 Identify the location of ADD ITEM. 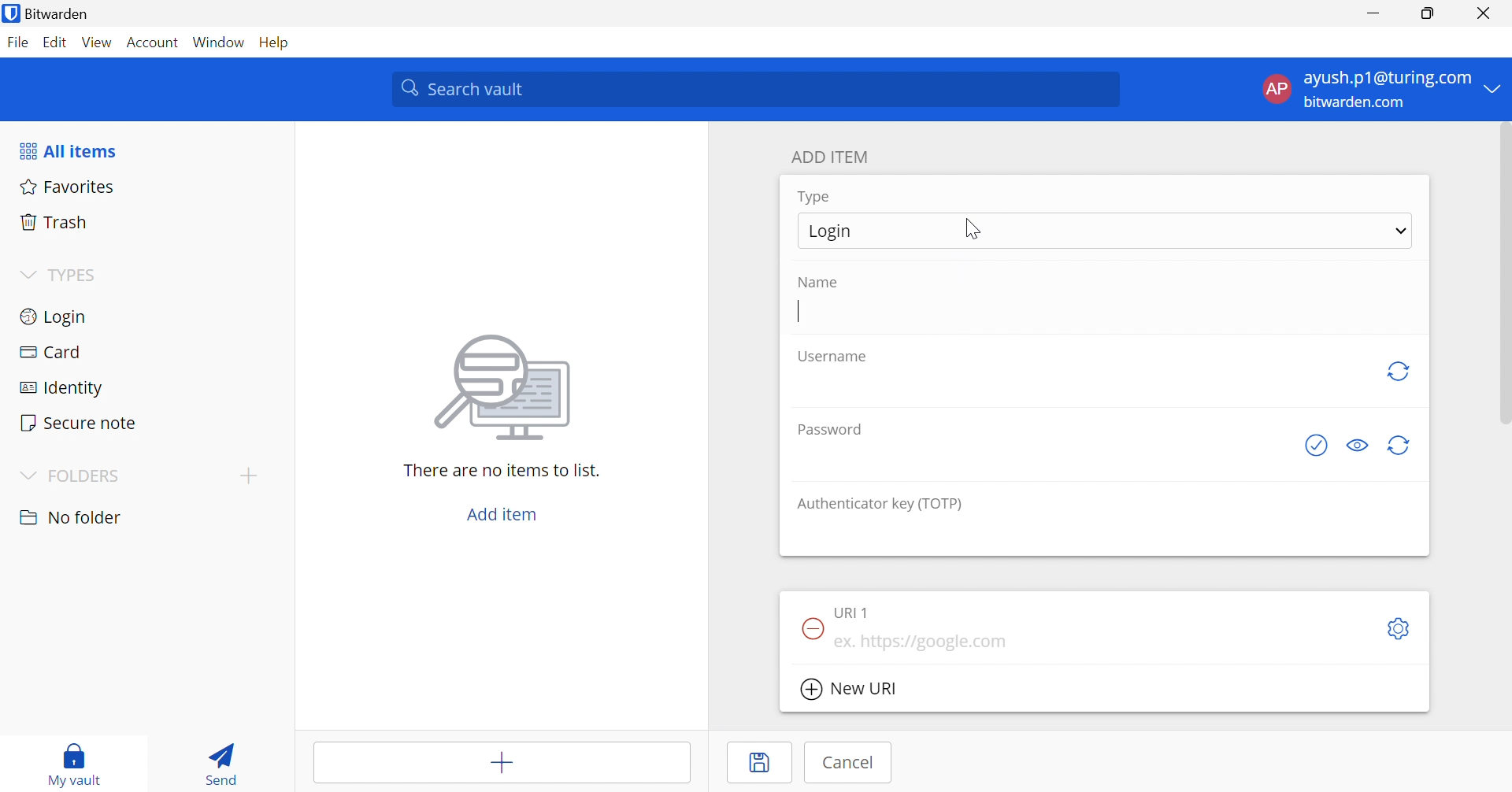
(830, 156).